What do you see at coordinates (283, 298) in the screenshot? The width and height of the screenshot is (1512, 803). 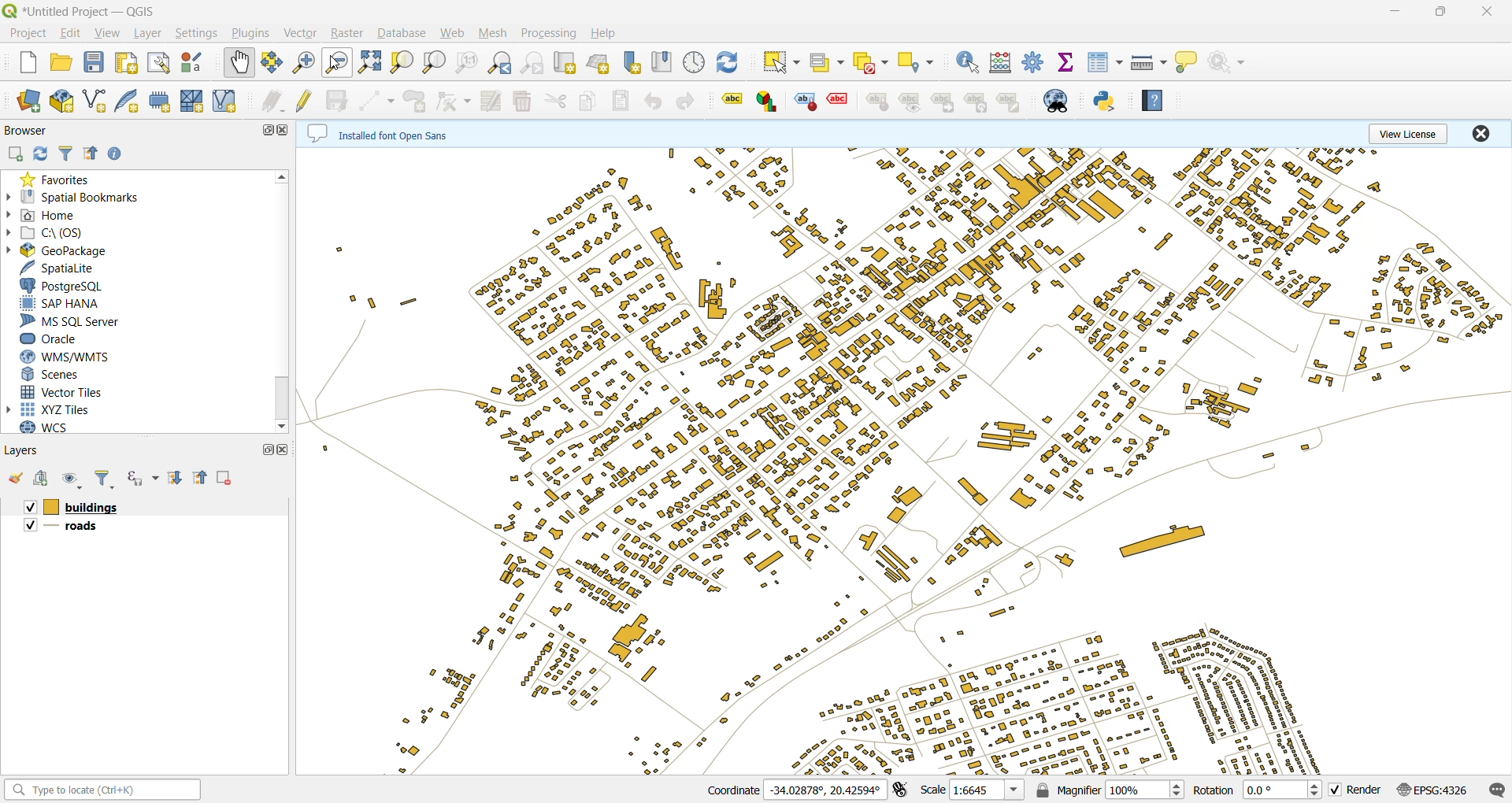 I see `vertical scroll bar` at bounding box center [283, 298].